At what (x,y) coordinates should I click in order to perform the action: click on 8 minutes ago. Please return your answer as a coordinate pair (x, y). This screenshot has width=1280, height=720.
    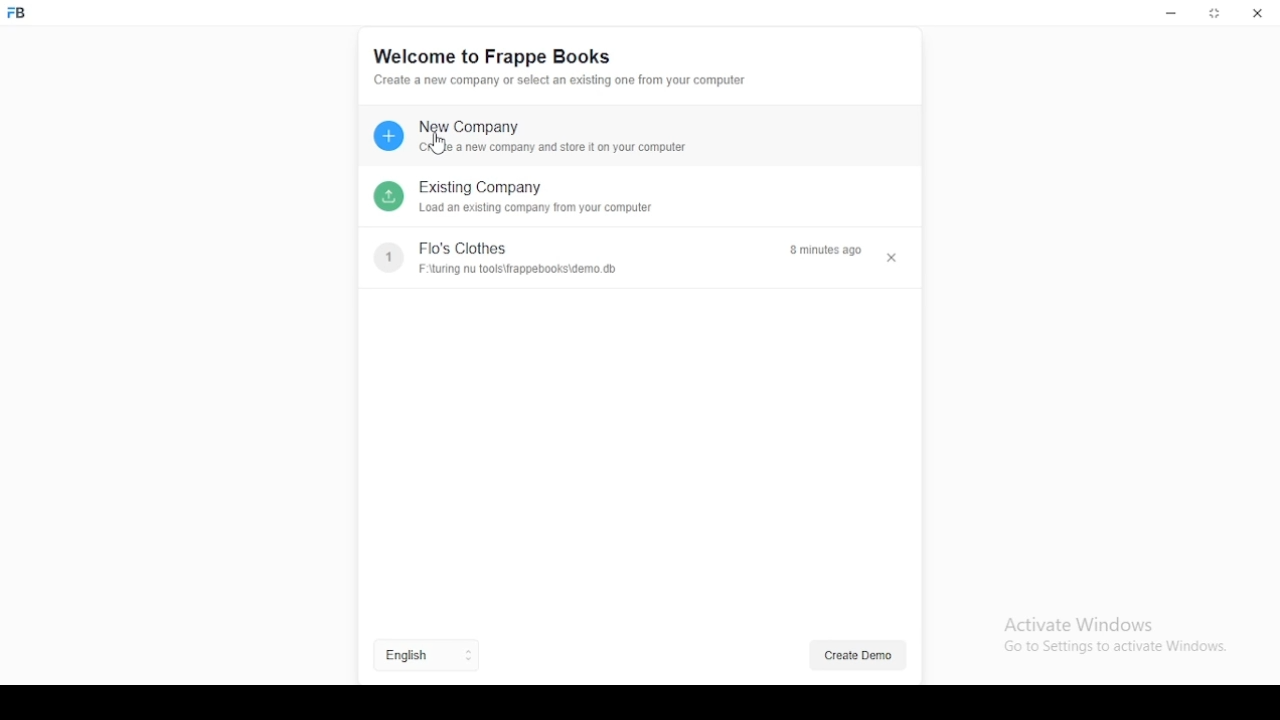
    Looking at the image, I should click on (828, 251).